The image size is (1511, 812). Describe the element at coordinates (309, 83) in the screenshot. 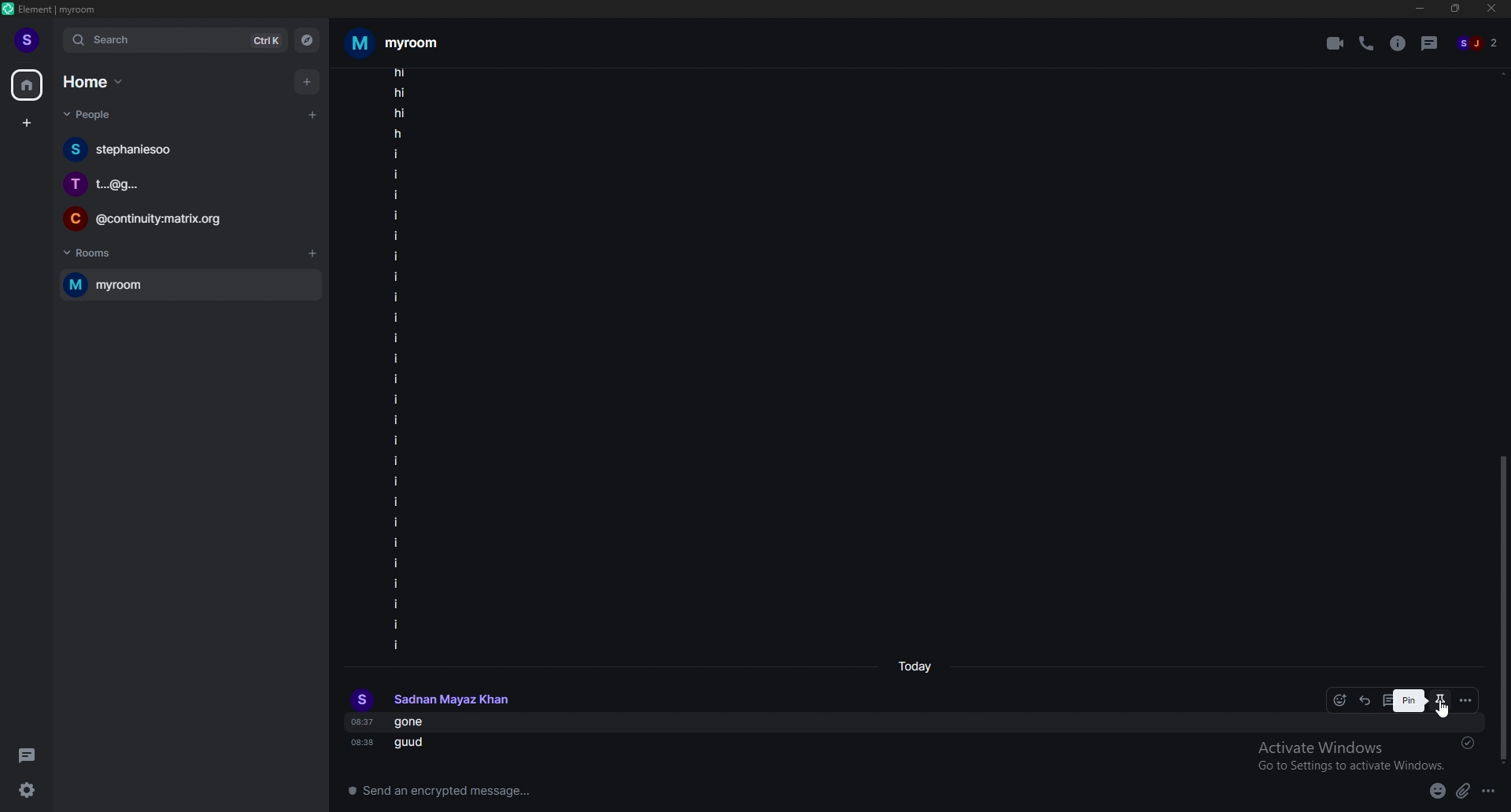

I see `add` at that location.